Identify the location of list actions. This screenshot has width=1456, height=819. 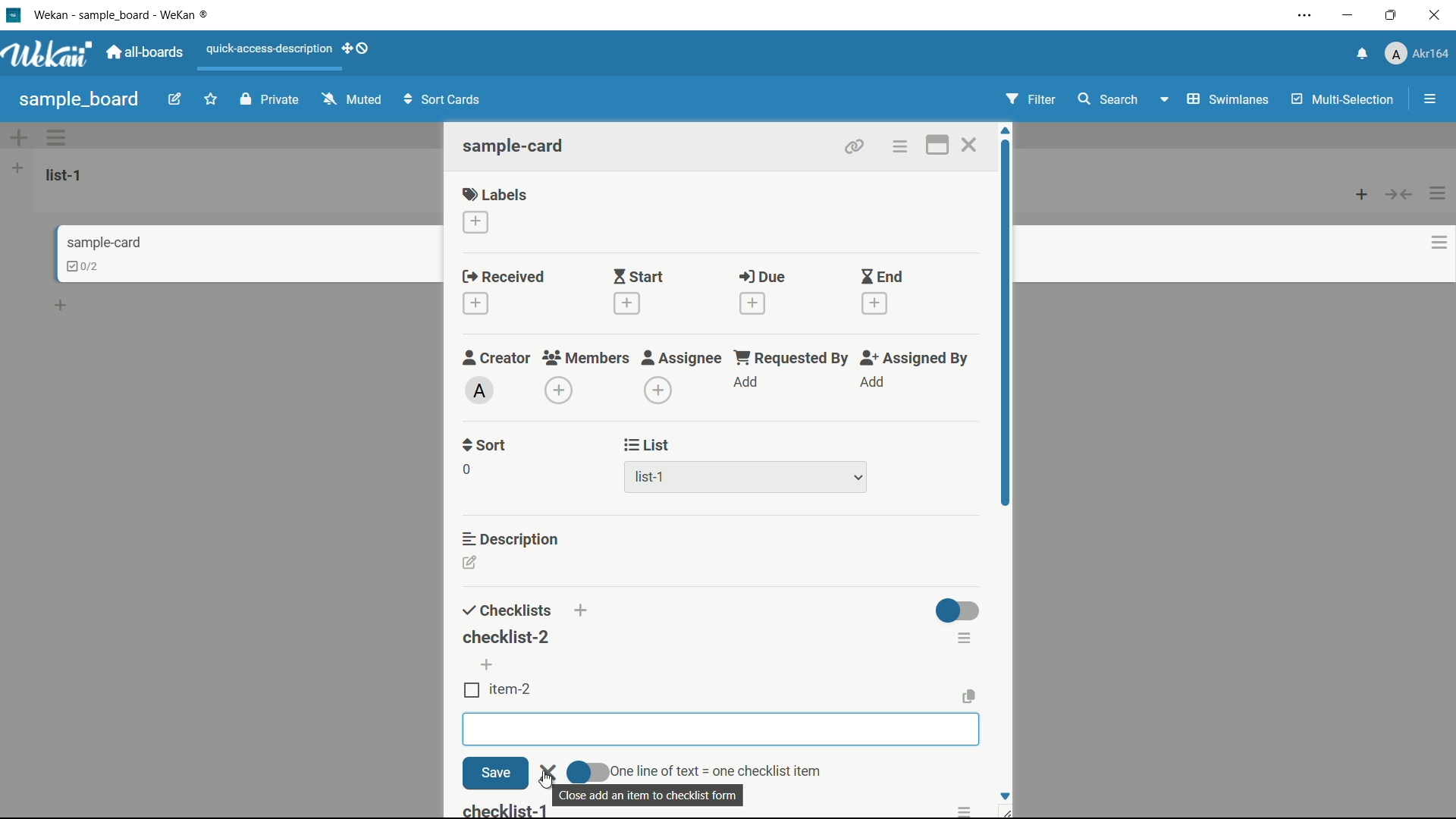
(1439, 193).